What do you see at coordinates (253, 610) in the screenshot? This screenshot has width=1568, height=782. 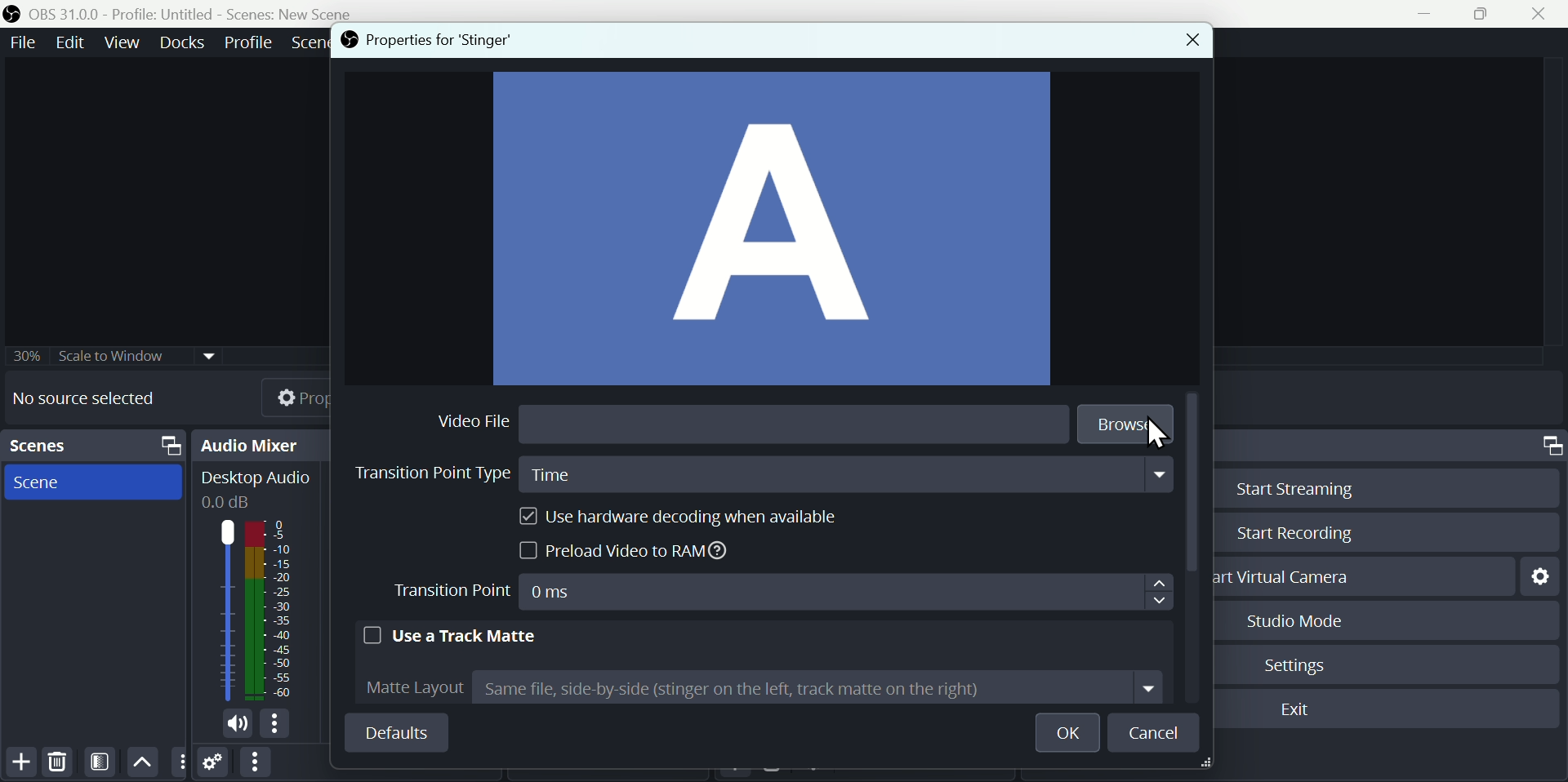 I see `Audio bar` at bounding box center [253, 610].